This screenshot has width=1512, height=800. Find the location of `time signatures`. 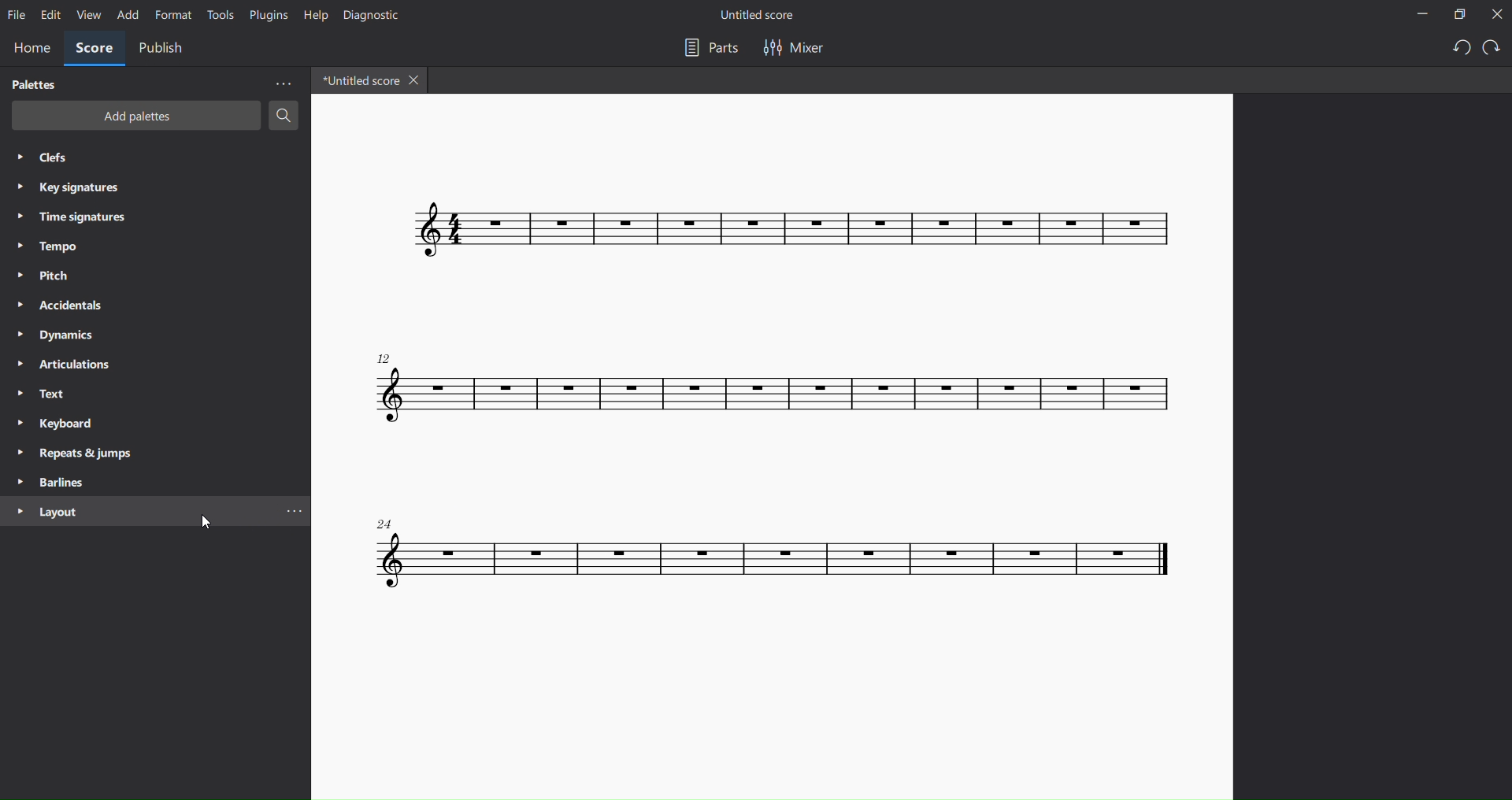

time signatures is located at coordinates (80, 216).